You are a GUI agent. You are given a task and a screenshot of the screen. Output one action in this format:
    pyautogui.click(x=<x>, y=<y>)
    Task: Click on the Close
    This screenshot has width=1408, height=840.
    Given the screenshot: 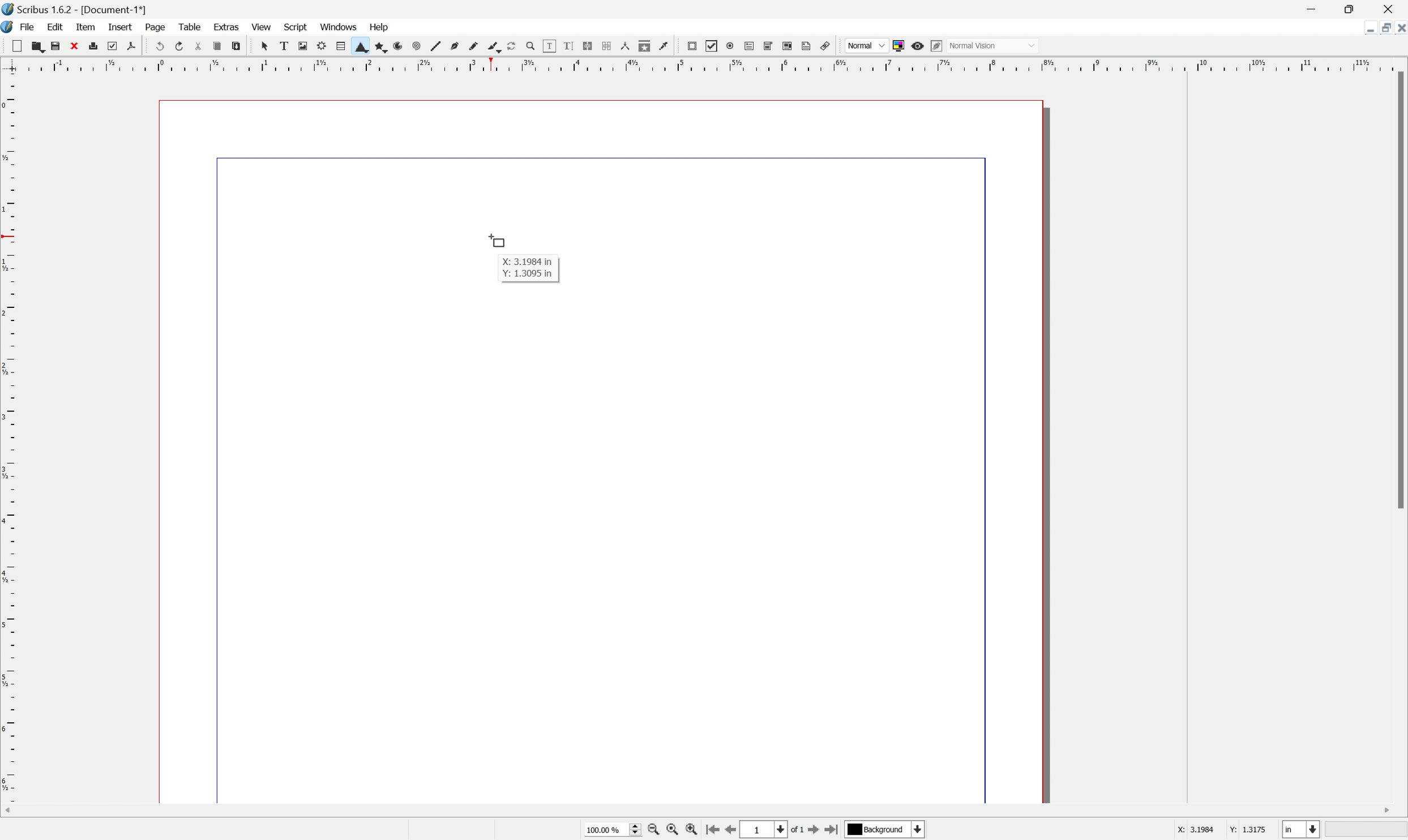 What is the action you would take?
    pyautogui.click(x=1399, y=29)
    